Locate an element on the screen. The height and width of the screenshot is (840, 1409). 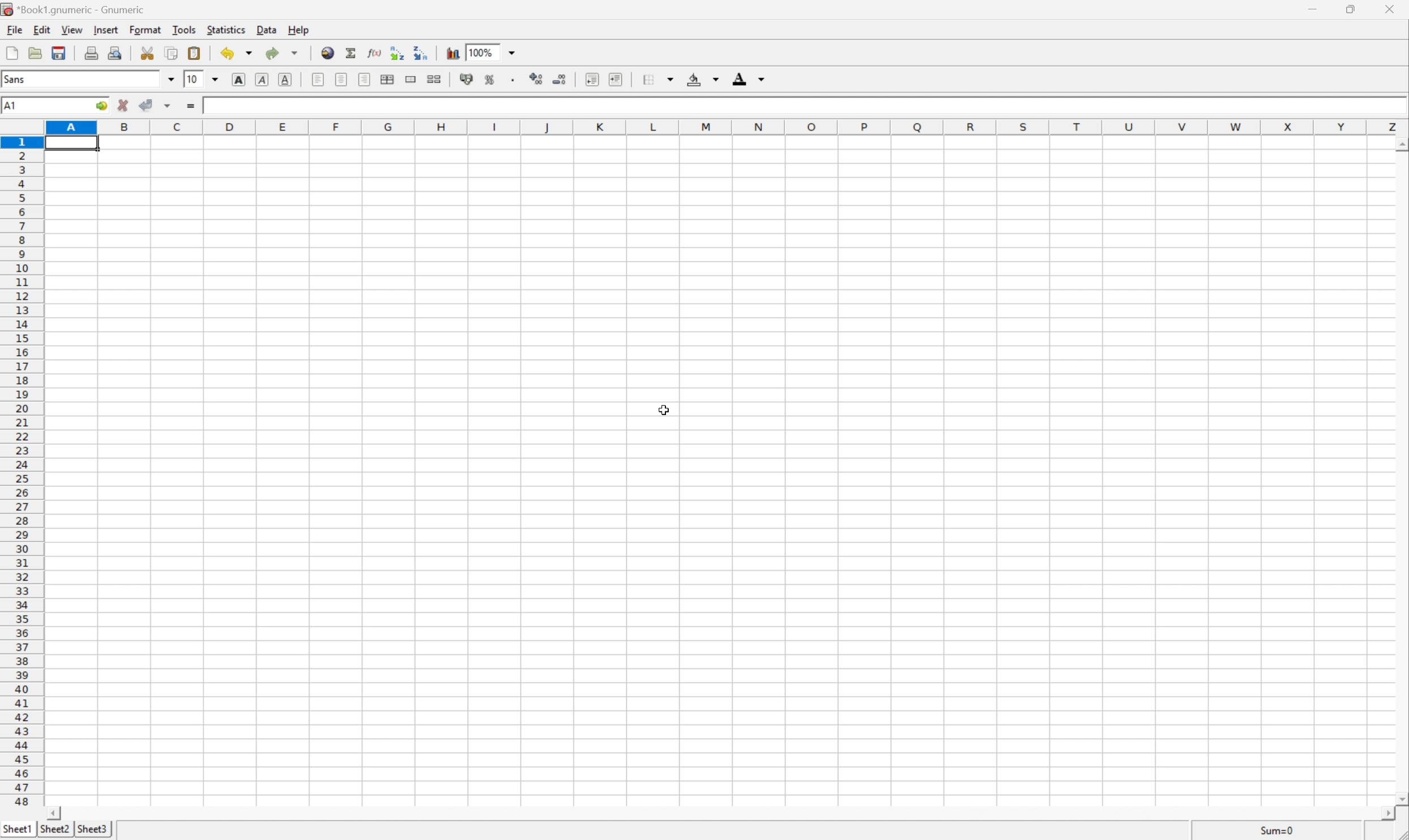
Decrease number of decimals displayed is located at coordinates (560, 79).